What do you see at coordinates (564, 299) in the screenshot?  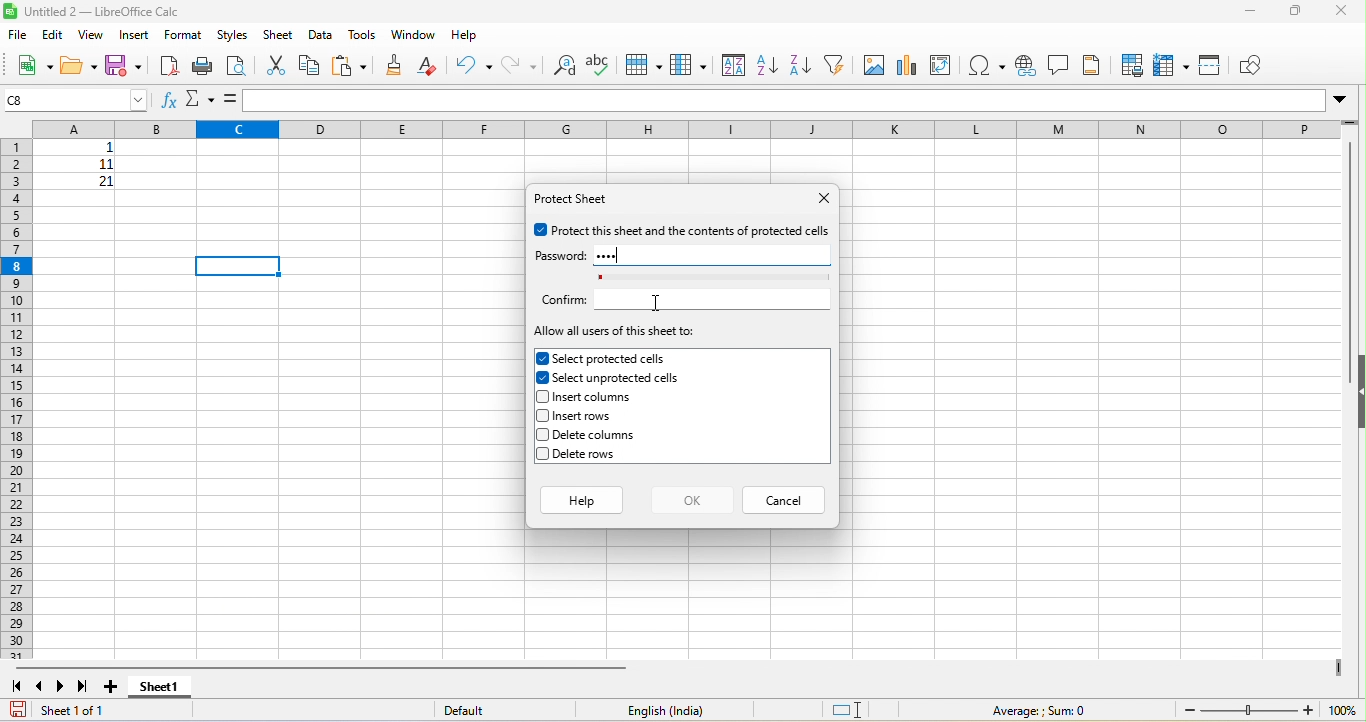 I see `confirm` at bounding box center [564, 299].